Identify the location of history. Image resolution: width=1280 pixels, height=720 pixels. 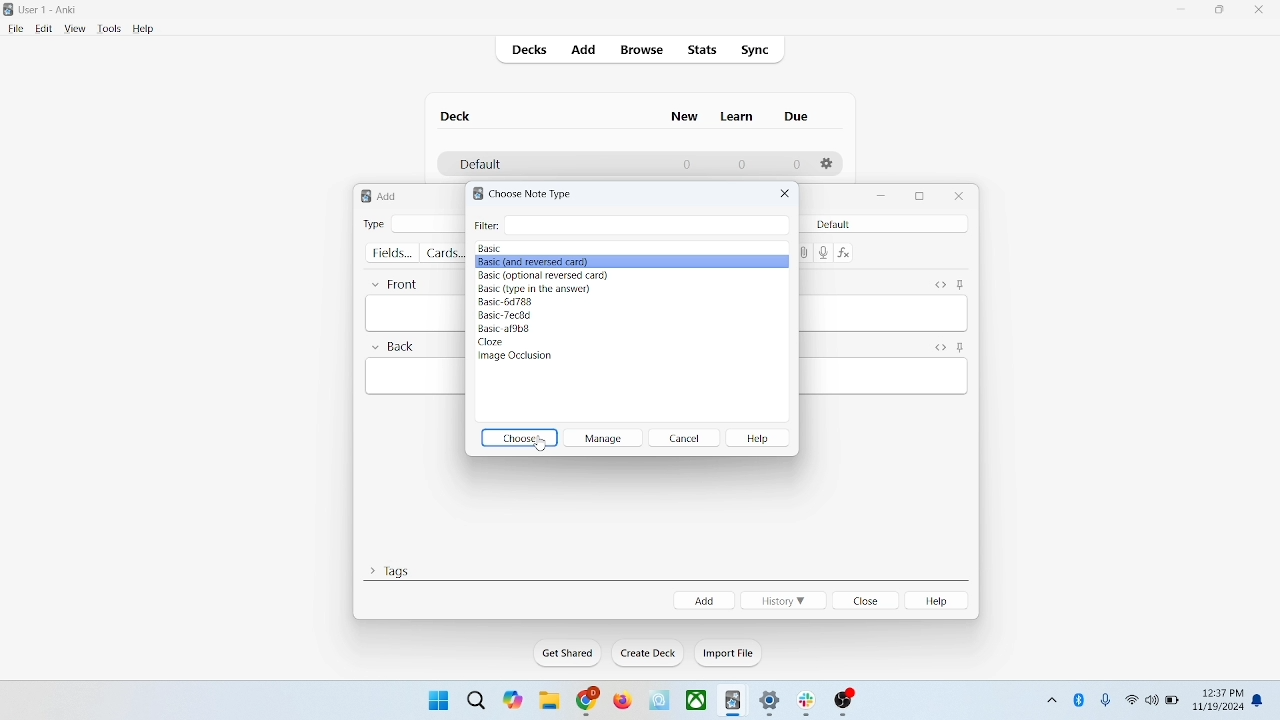
(783, 601).